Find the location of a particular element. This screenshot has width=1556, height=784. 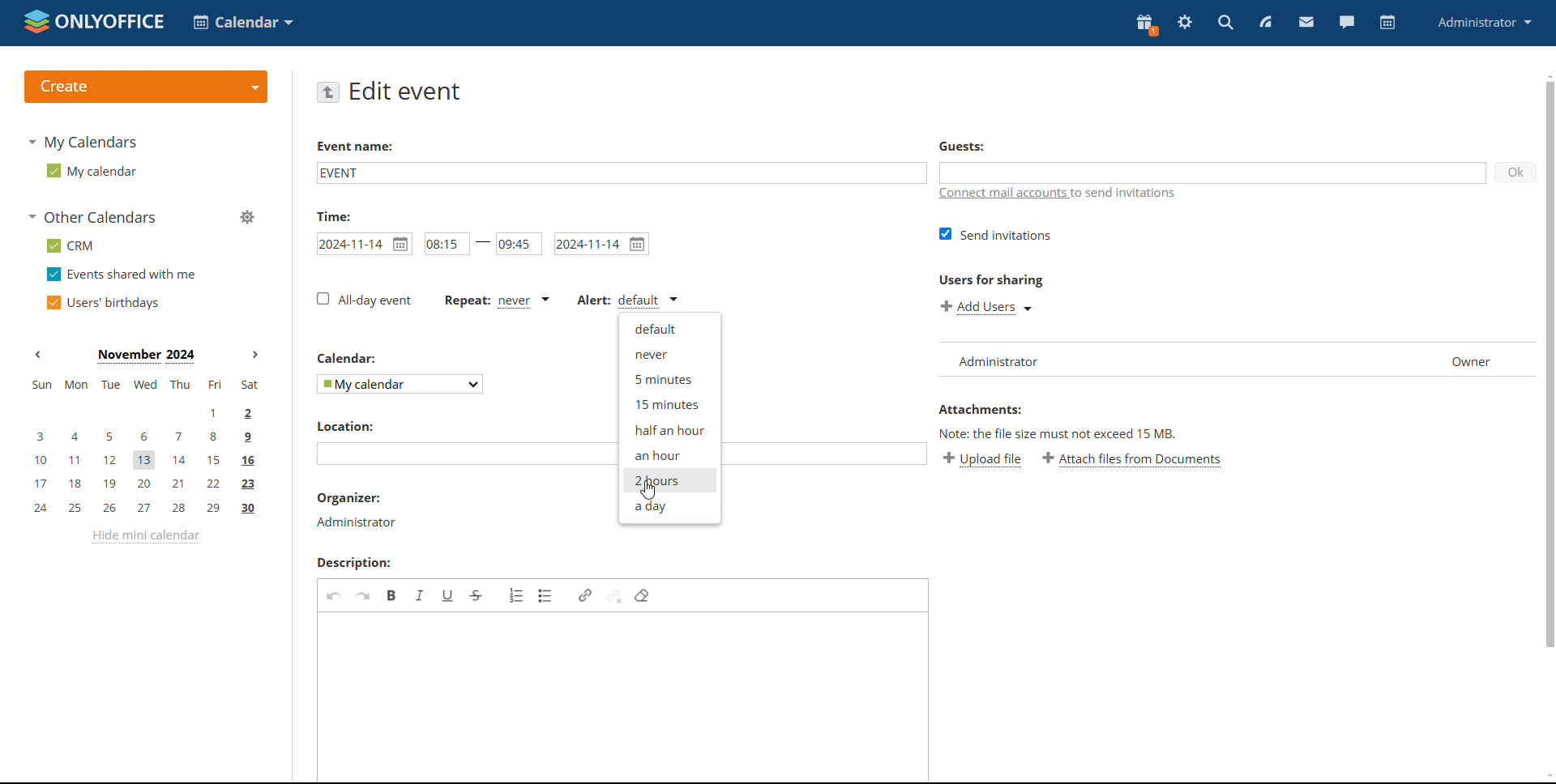

default is located at coordinates (669, 328).